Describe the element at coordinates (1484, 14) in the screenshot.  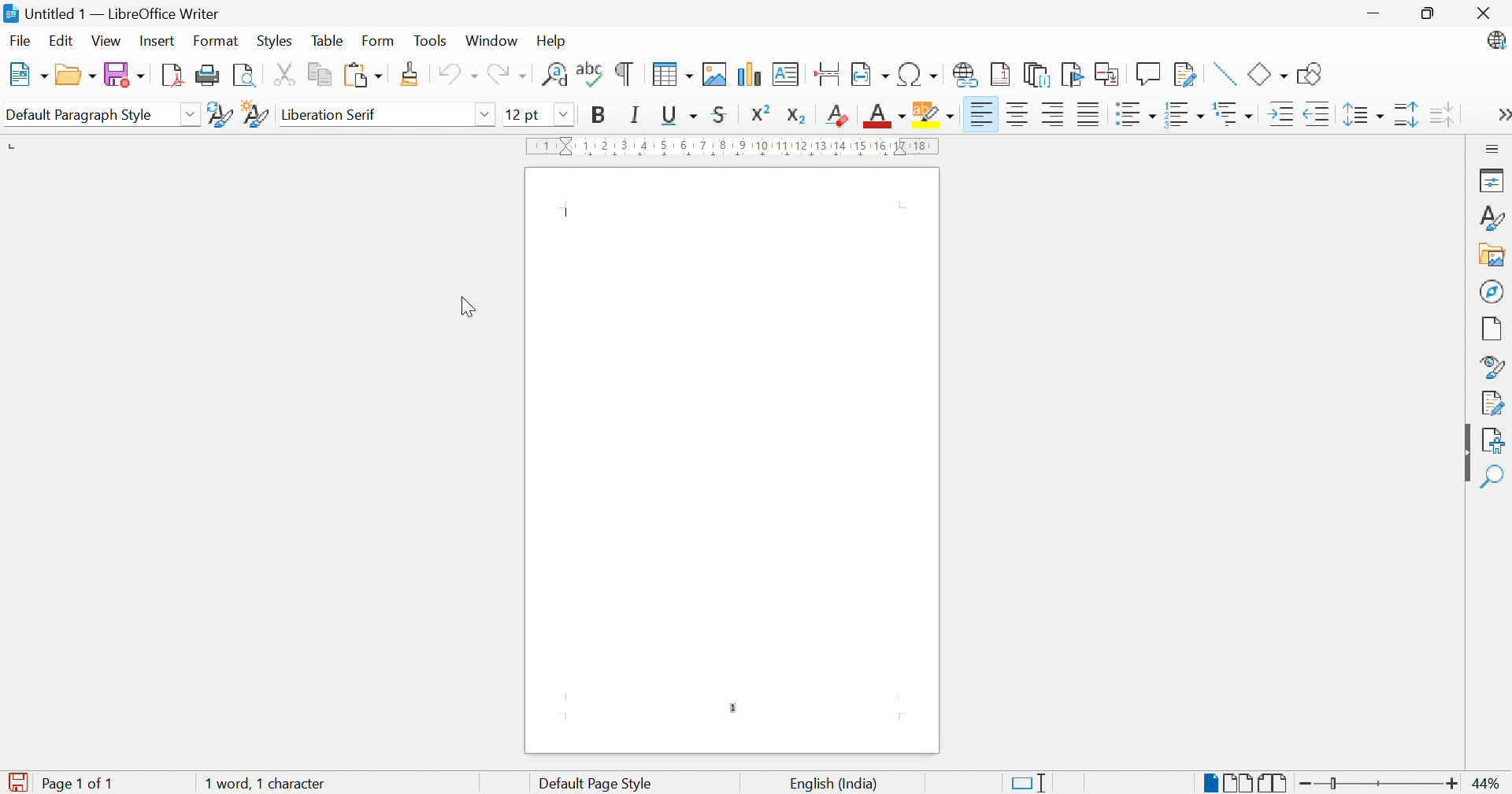
I see `Close` at that location.